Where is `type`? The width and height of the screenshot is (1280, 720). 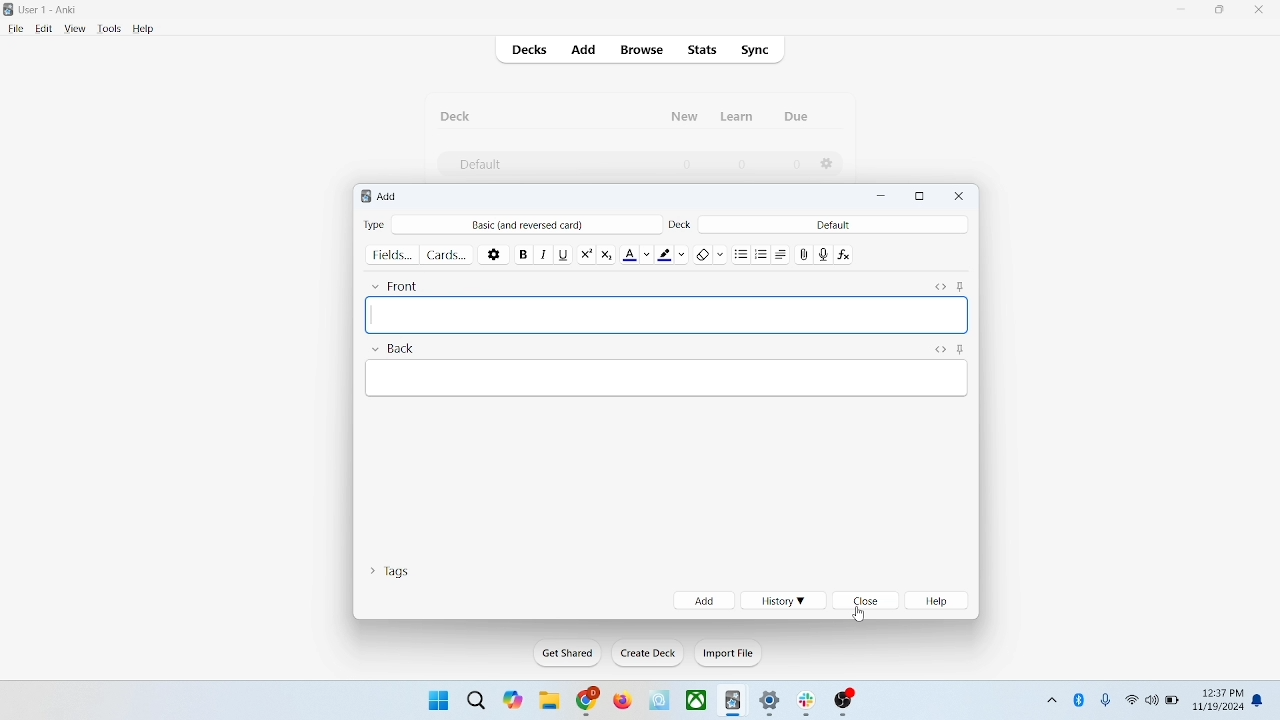 type is located at coordinates (374, 224).